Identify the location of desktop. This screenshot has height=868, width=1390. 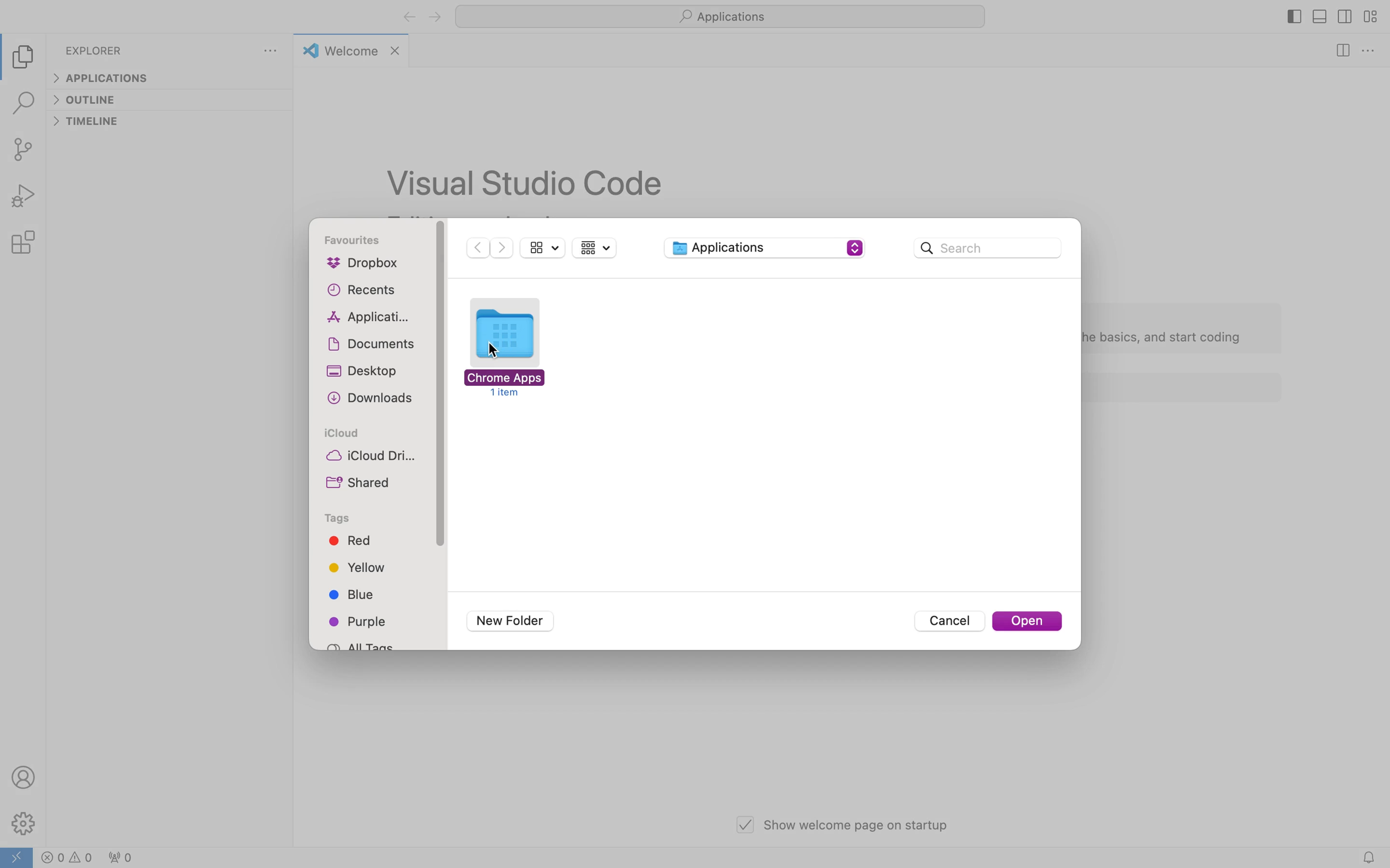
(365, 371).